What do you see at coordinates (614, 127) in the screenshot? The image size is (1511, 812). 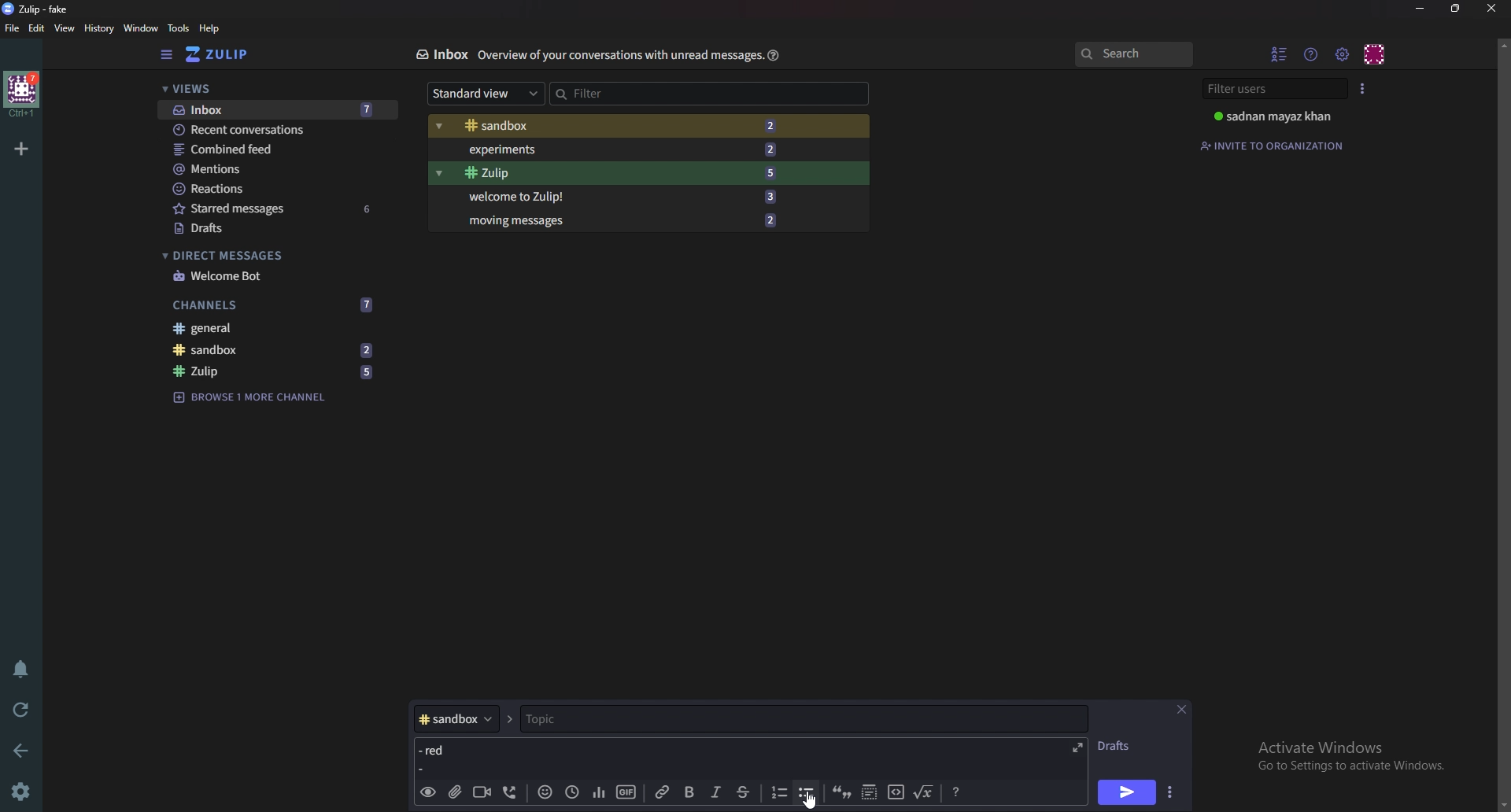 I see `Sandbox` at bounding box center [614, 127].